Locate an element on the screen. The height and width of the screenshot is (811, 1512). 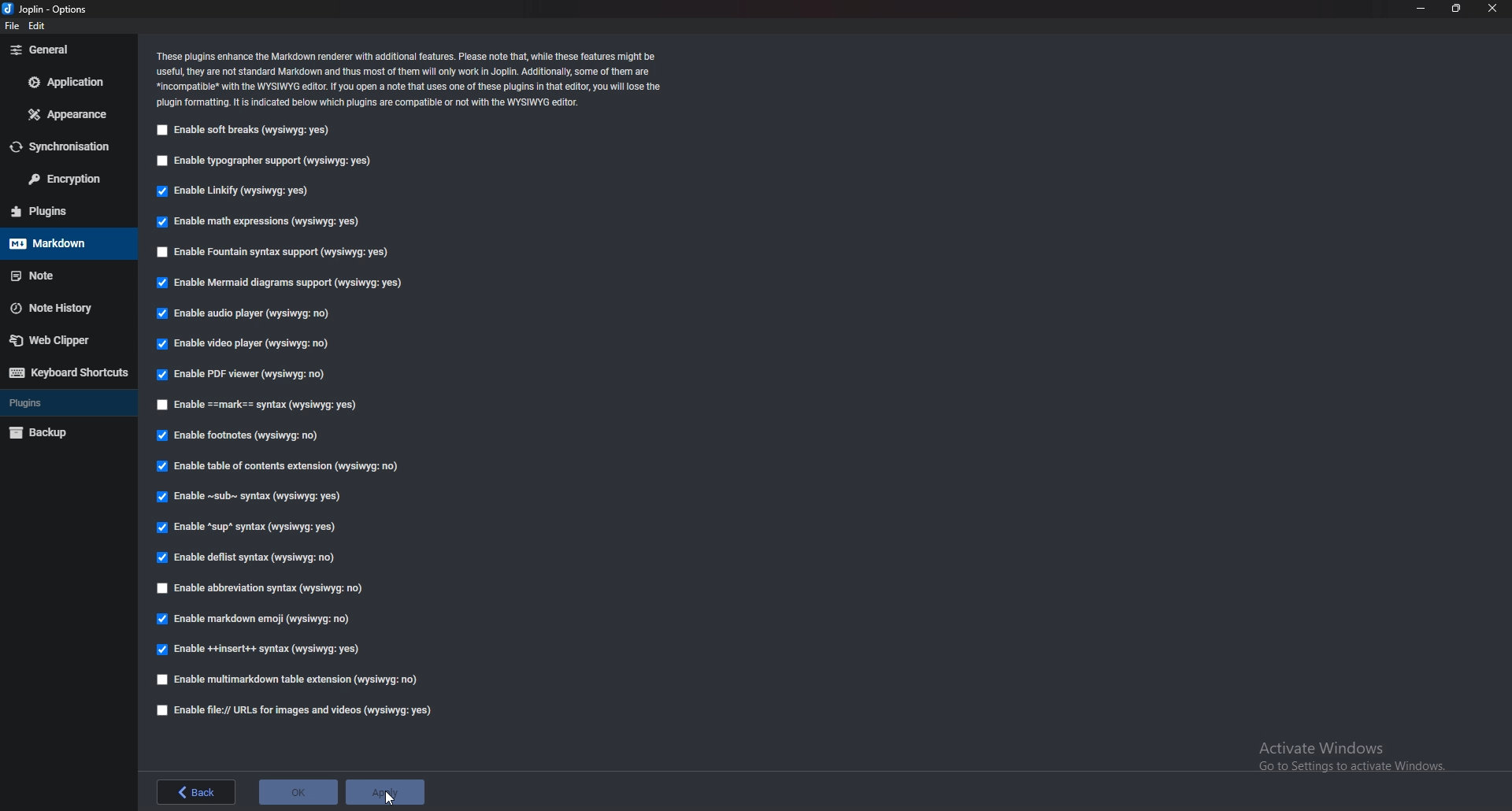
Enable soft breaks is located at coordinates (242, 131).